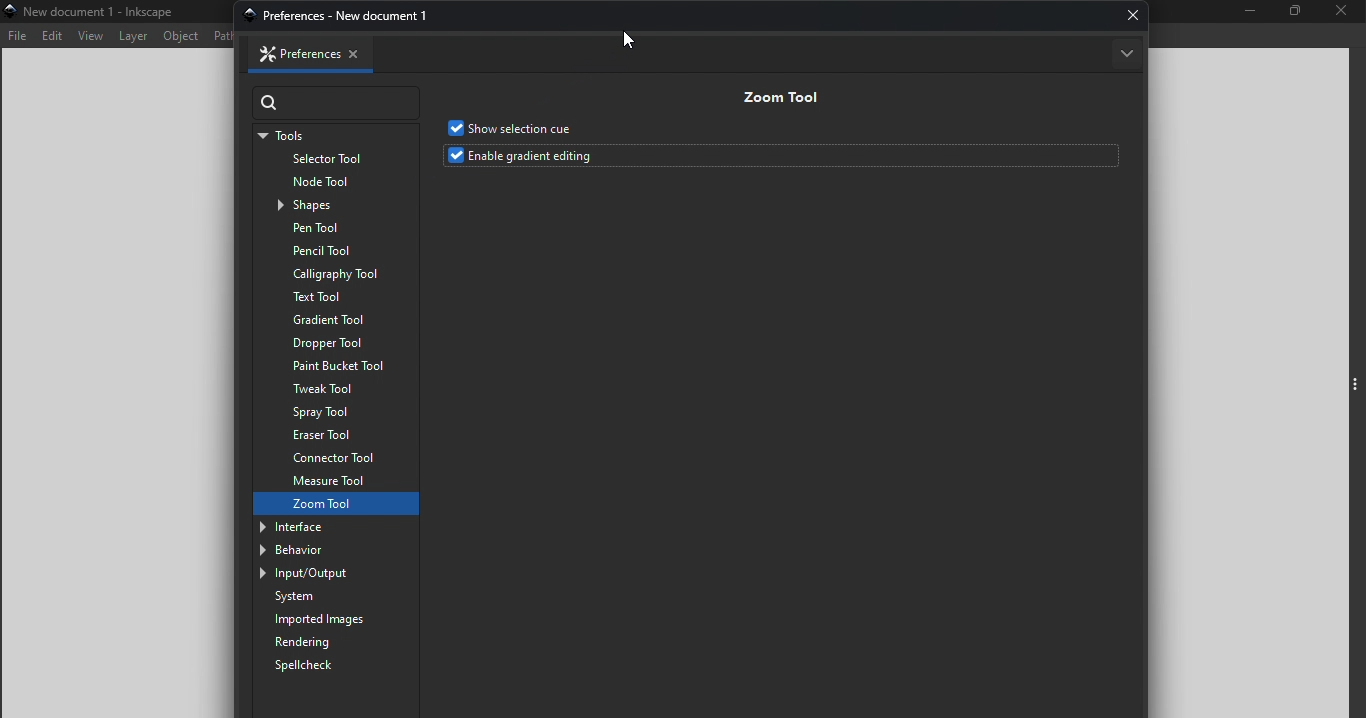  Describe the element at coordinates (326, 320) in the screenshot. I see `Gradient tool` at that location.